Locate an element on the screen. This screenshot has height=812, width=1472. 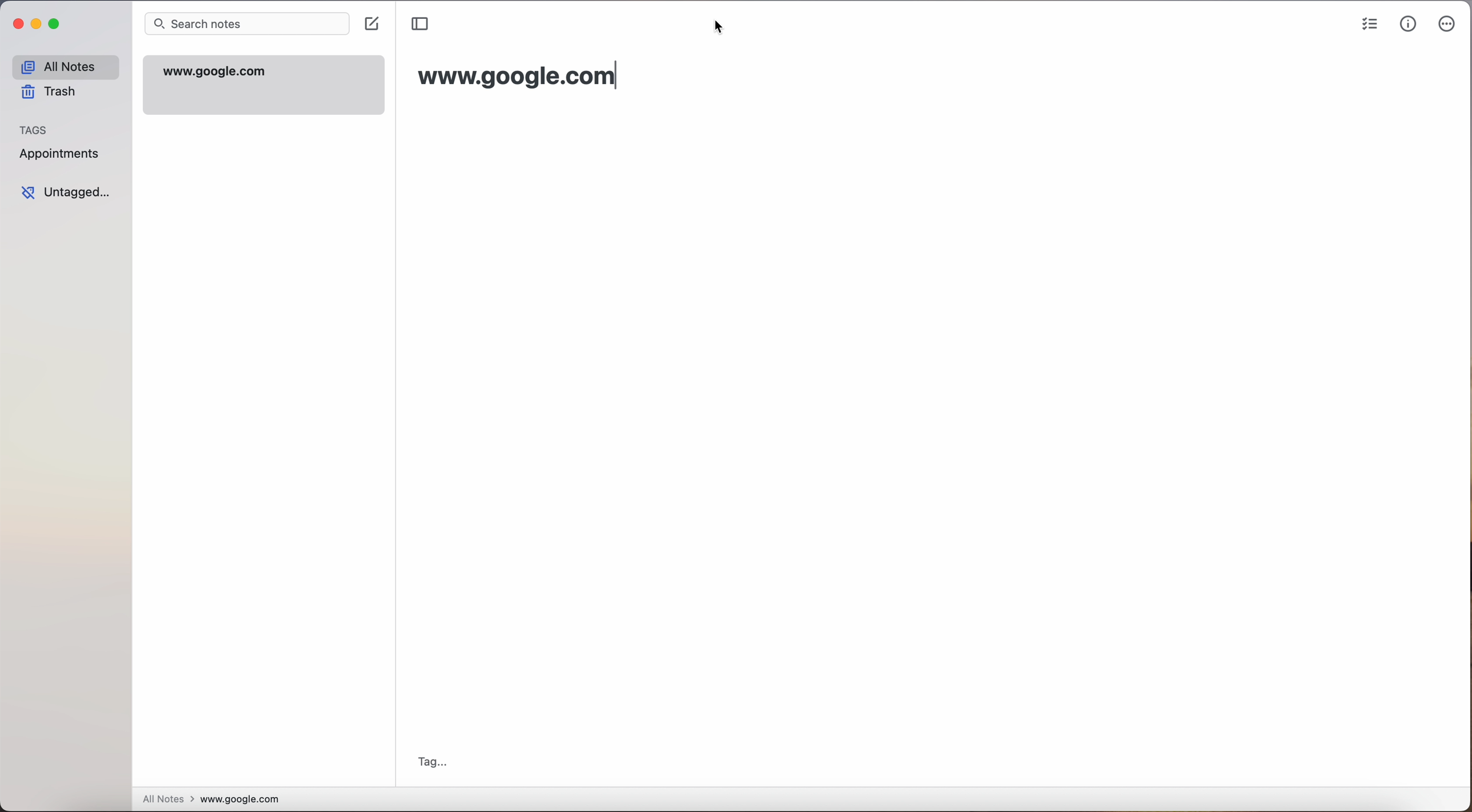
search bar is located at coordinates (247, 23).